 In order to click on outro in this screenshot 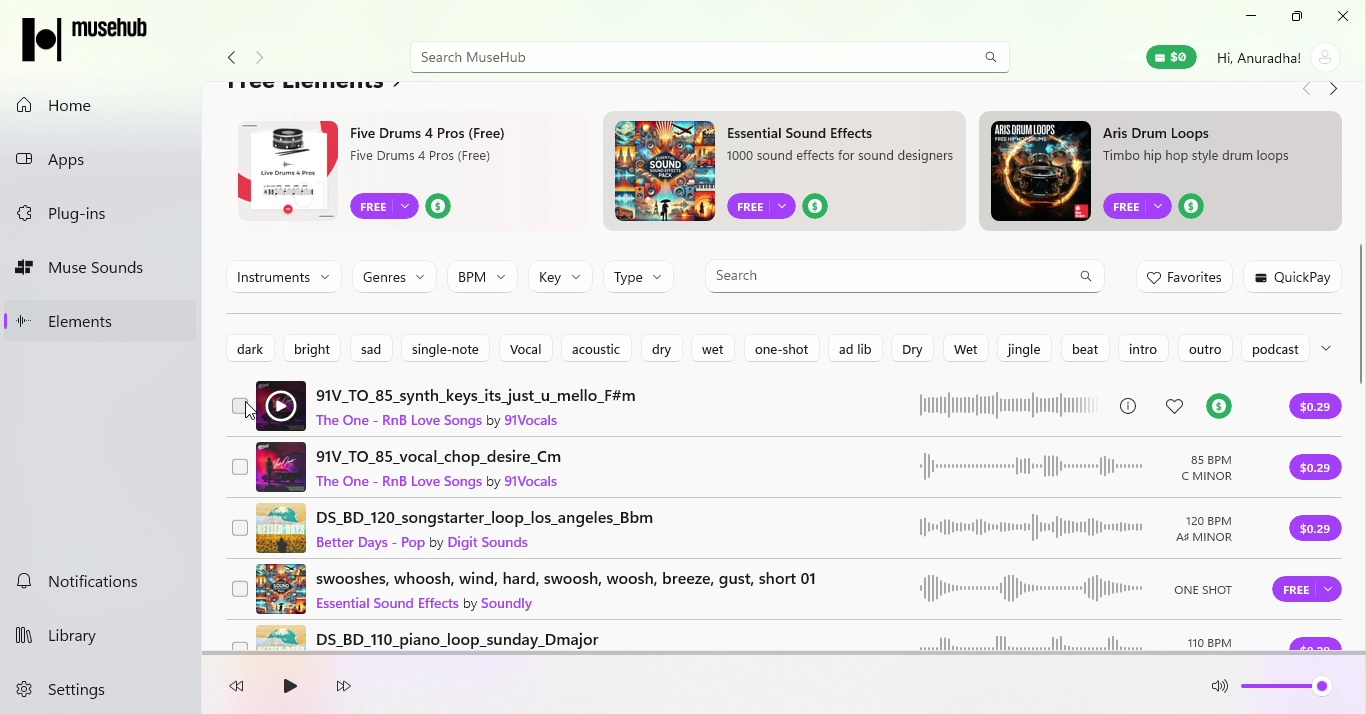, I will do `click(1204, 348)`.